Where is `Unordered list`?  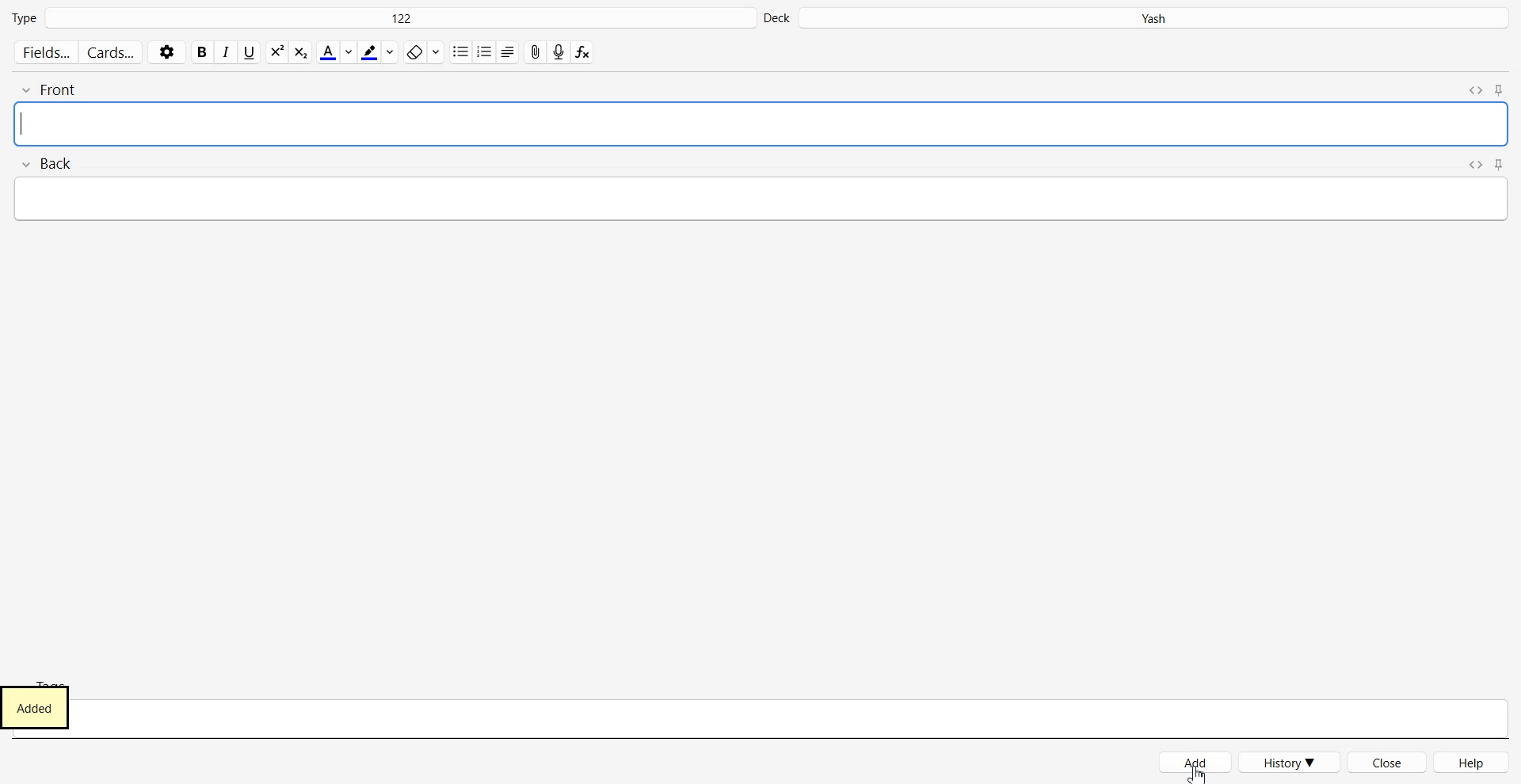 Unordered list is located at coordinates (460, 51).